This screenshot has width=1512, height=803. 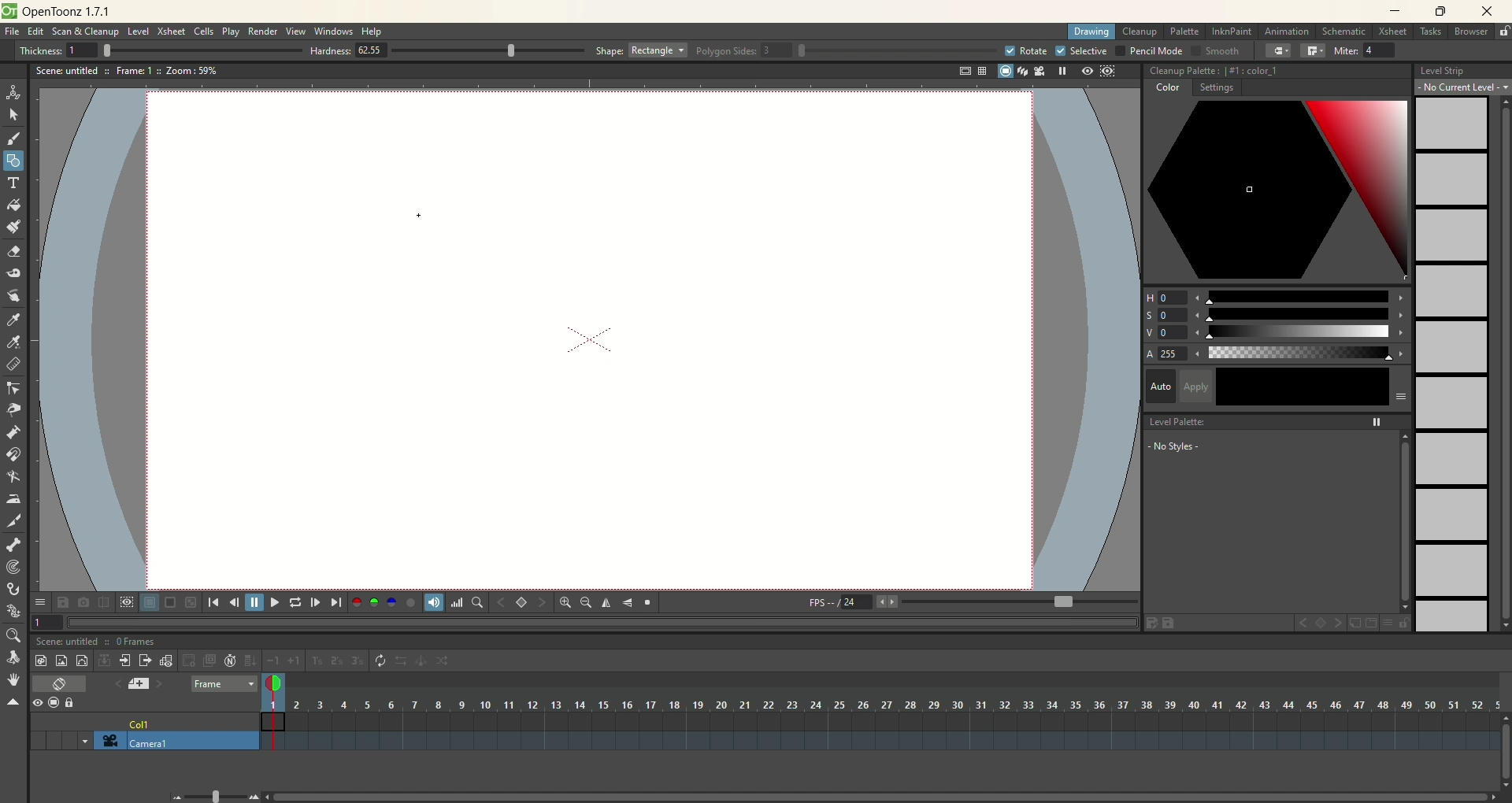 I want to click on field guide, so click(x=981, y=71).